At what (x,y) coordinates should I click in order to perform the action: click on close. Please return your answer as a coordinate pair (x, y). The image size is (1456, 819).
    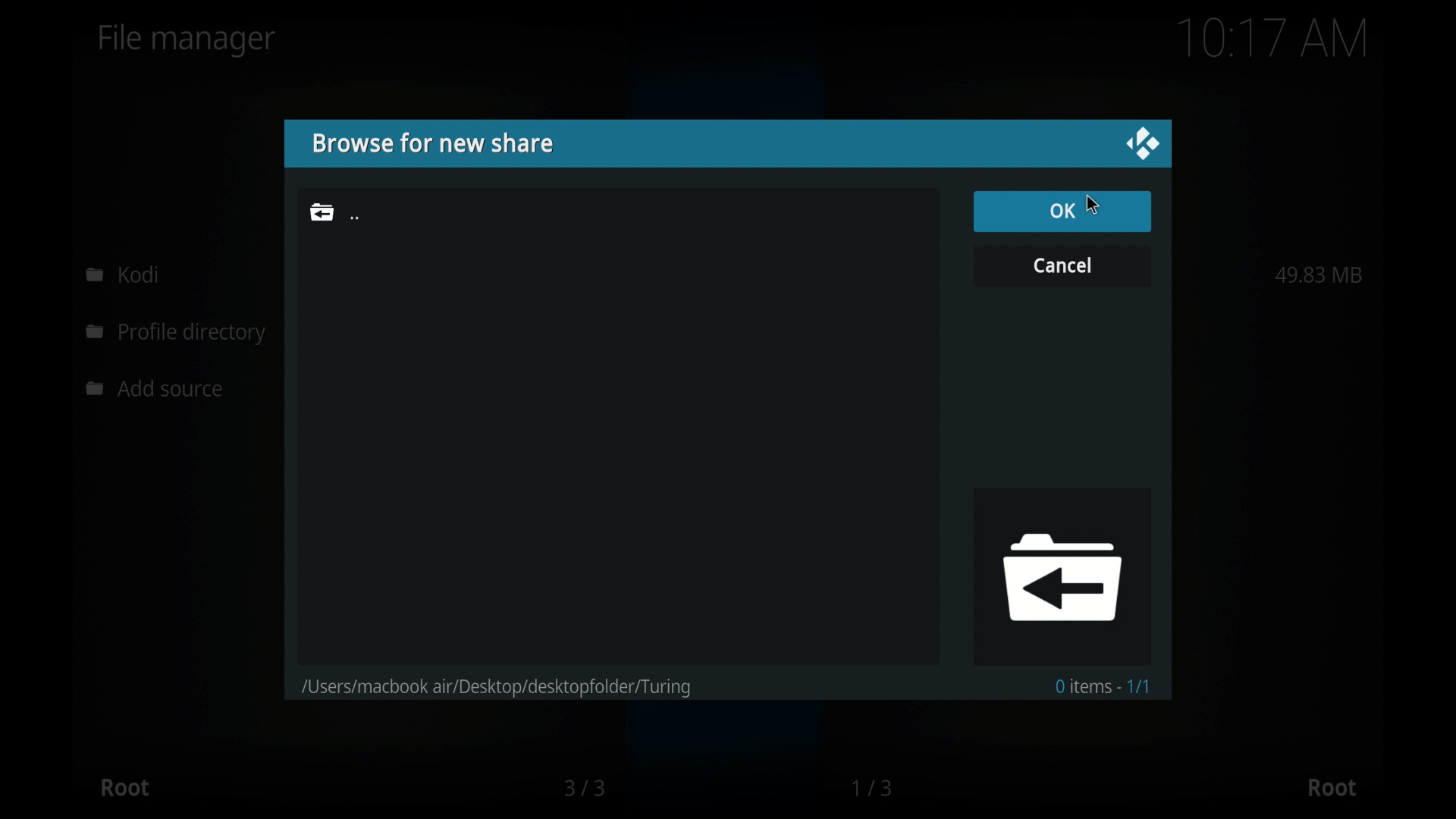
    Looking at the image, I should click on (1142, 144).